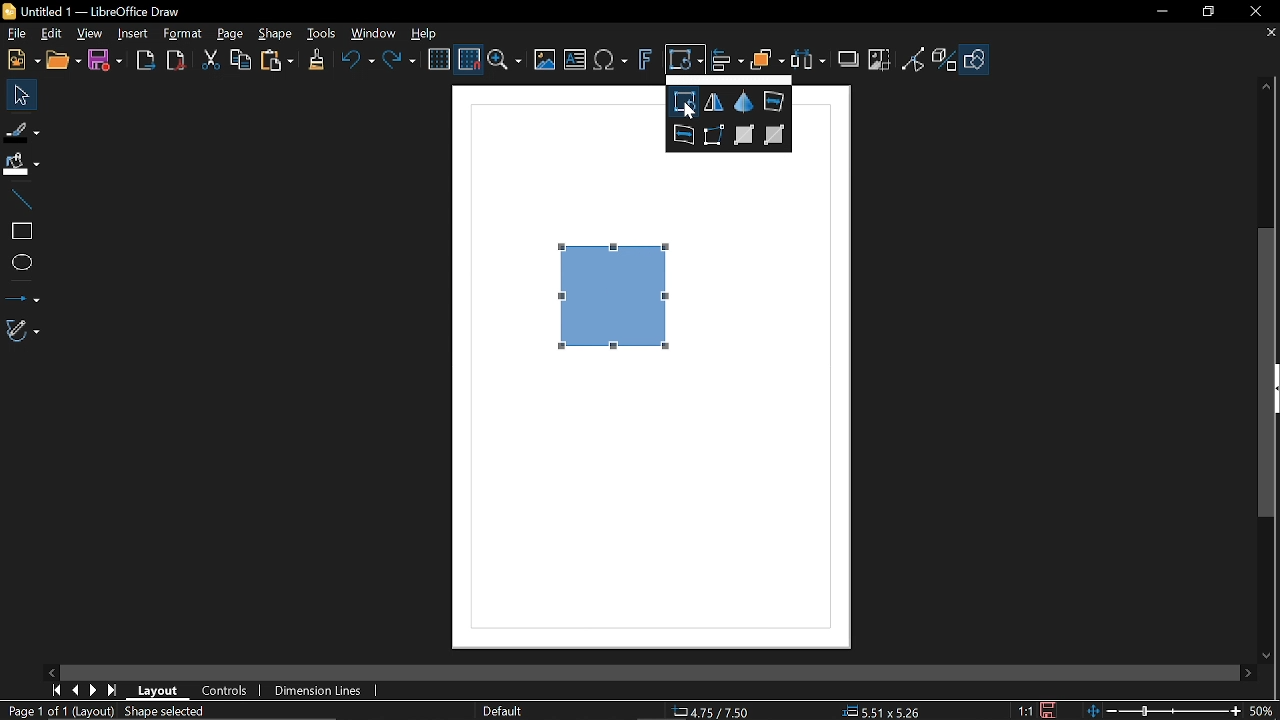 This screenshot has height=720, width=1280. I want to click on Save, so click(104, 63).